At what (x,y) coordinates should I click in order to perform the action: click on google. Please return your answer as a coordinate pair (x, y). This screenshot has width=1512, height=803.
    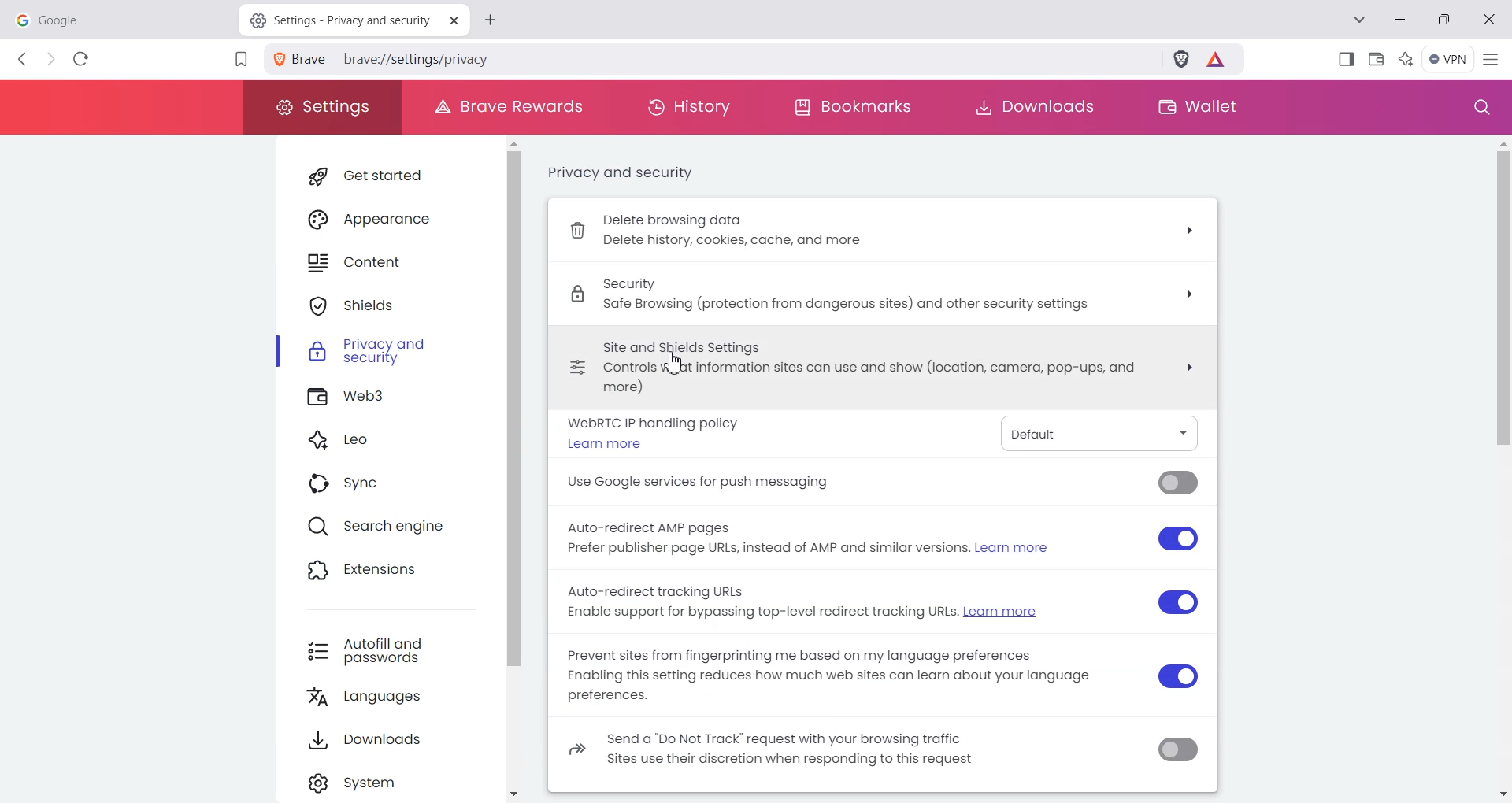
    Looking at the image, I should click on (118, 18).